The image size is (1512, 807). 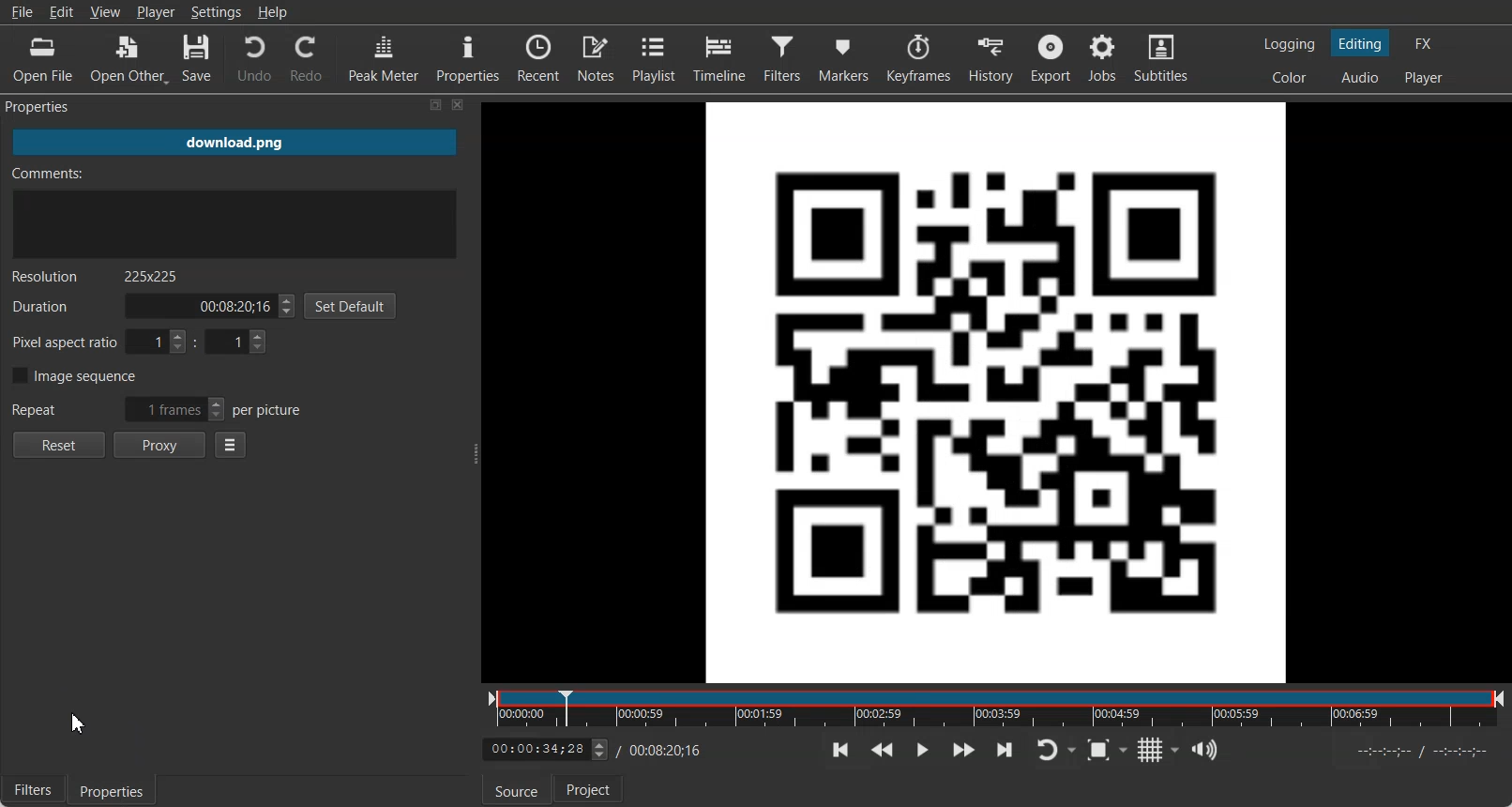 What do you see at coordinates (1426, 751) in the screenshot?
I see `Start and End Time` at bounding box center [1426, 751].